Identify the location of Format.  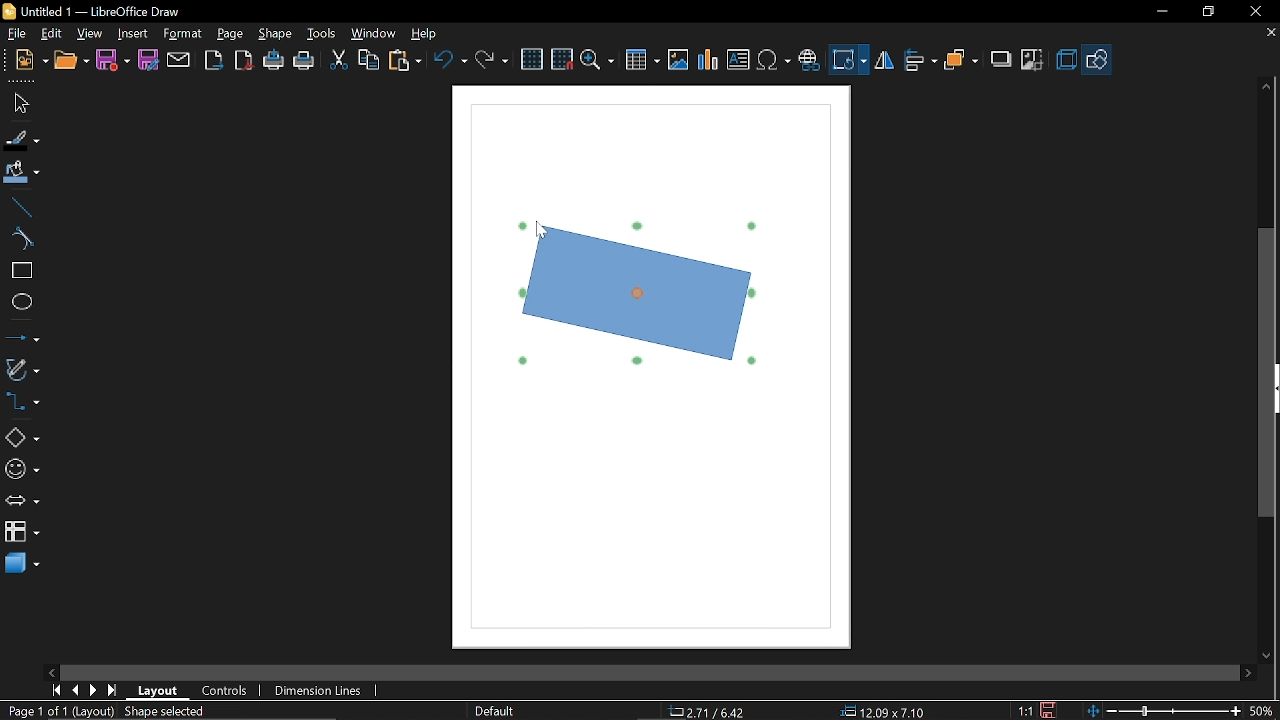
(183, 34).